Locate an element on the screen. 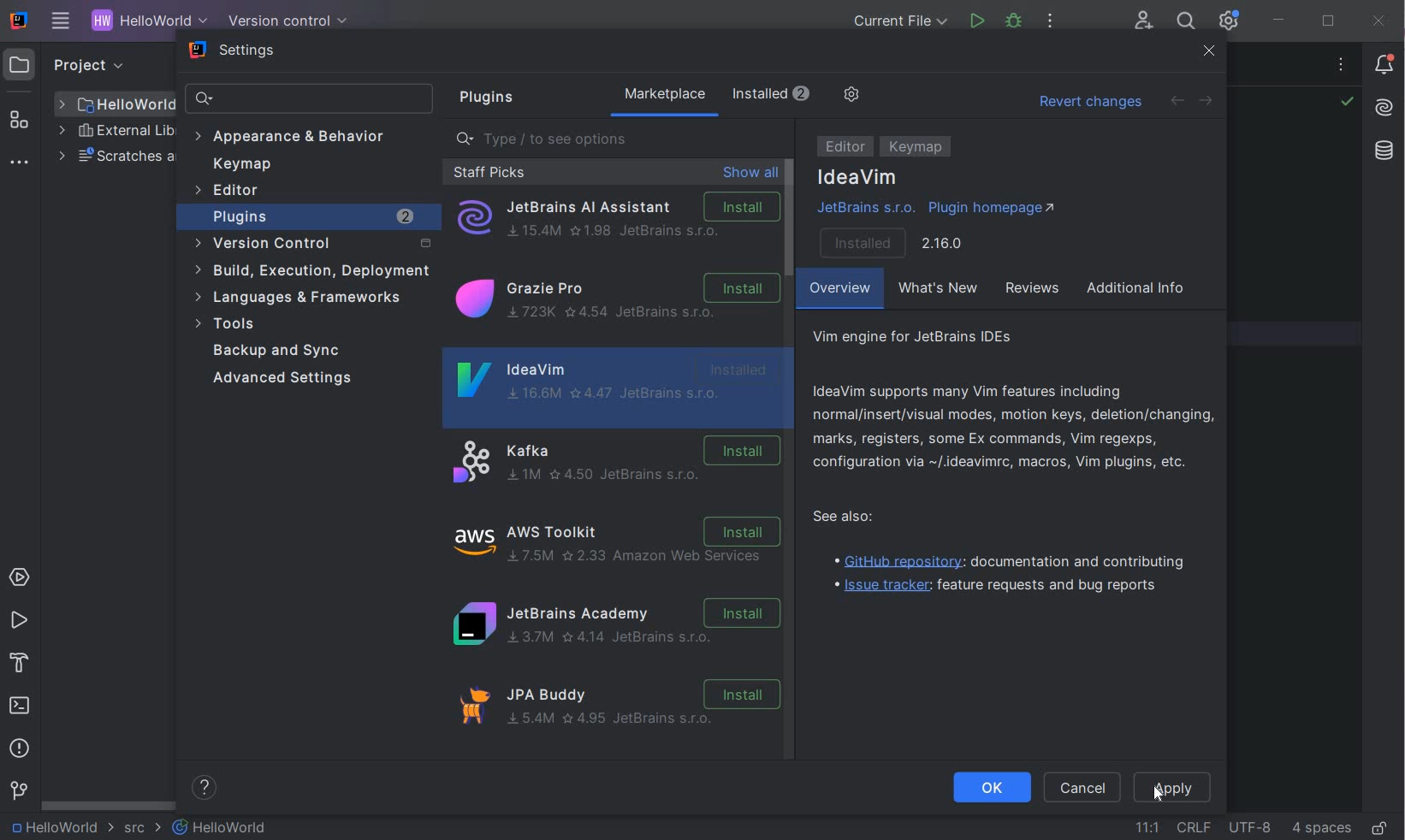  FORWARD is located at coordinates (1206, 102).